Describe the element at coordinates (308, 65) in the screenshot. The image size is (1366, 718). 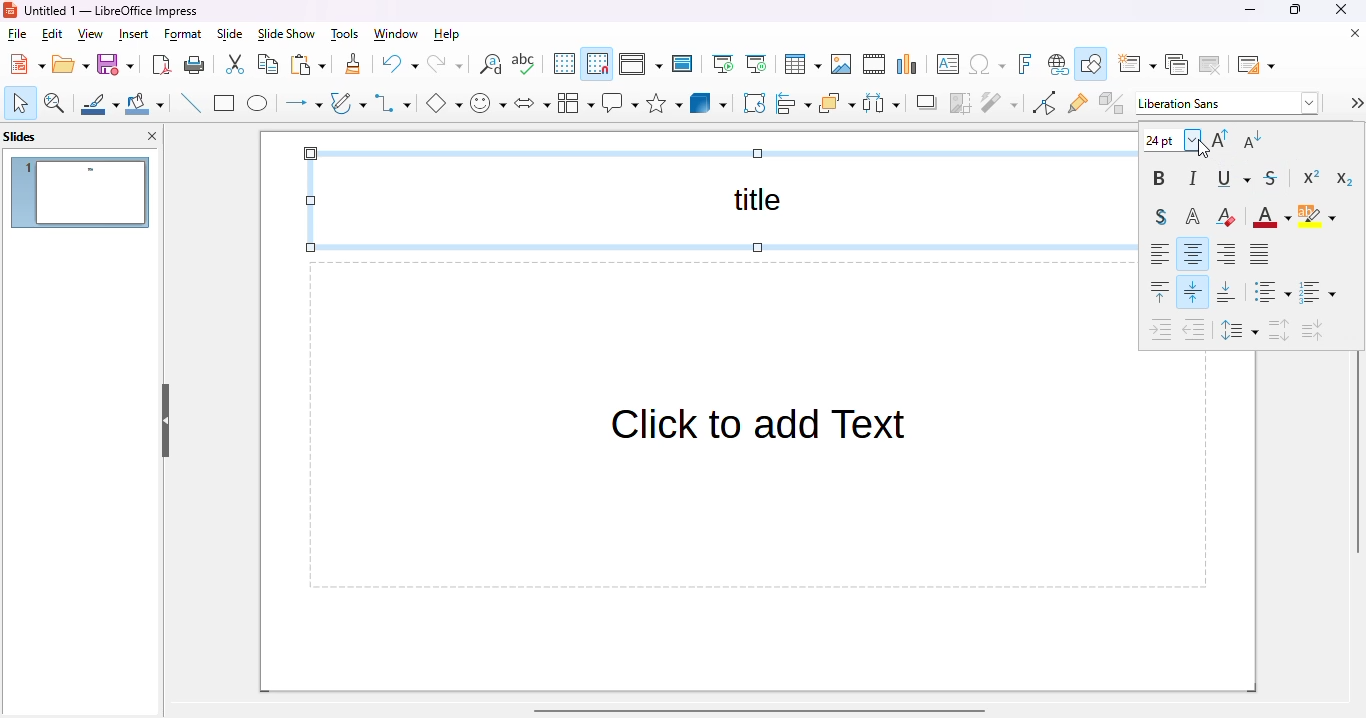
I see `paste` at that location.